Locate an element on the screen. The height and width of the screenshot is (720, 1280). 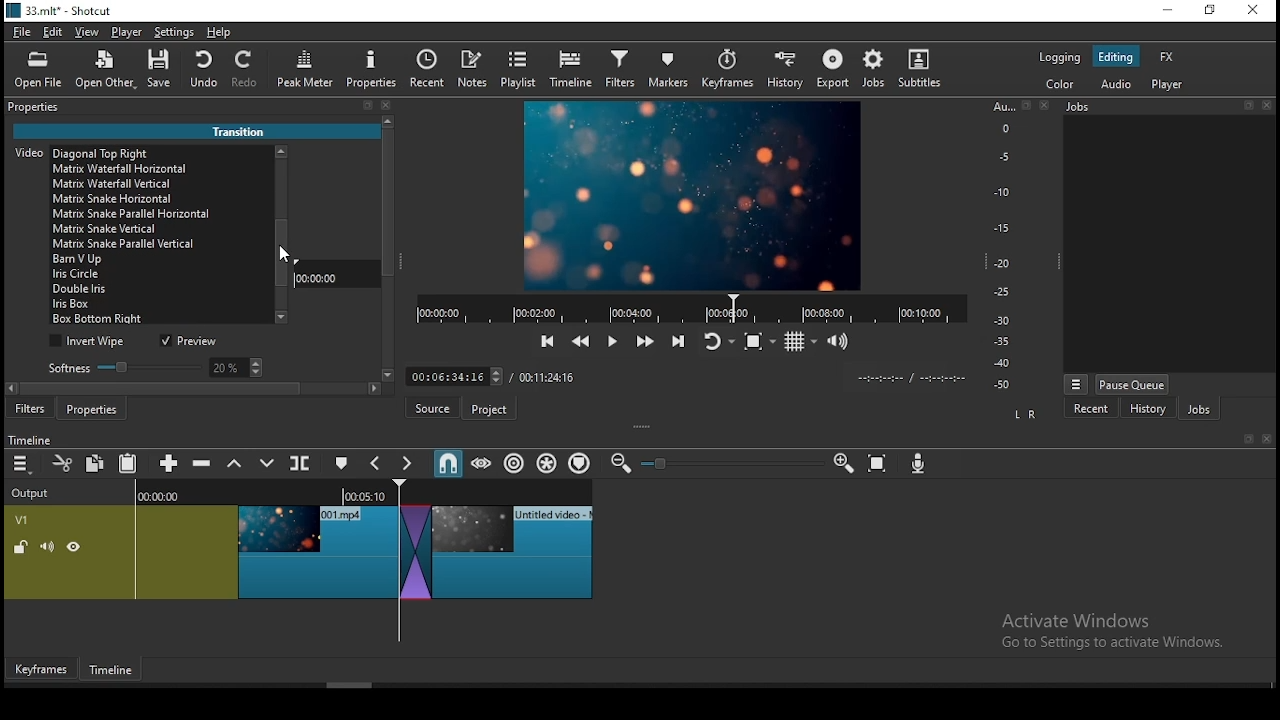
subtitle is located at coordinates (917, 68).